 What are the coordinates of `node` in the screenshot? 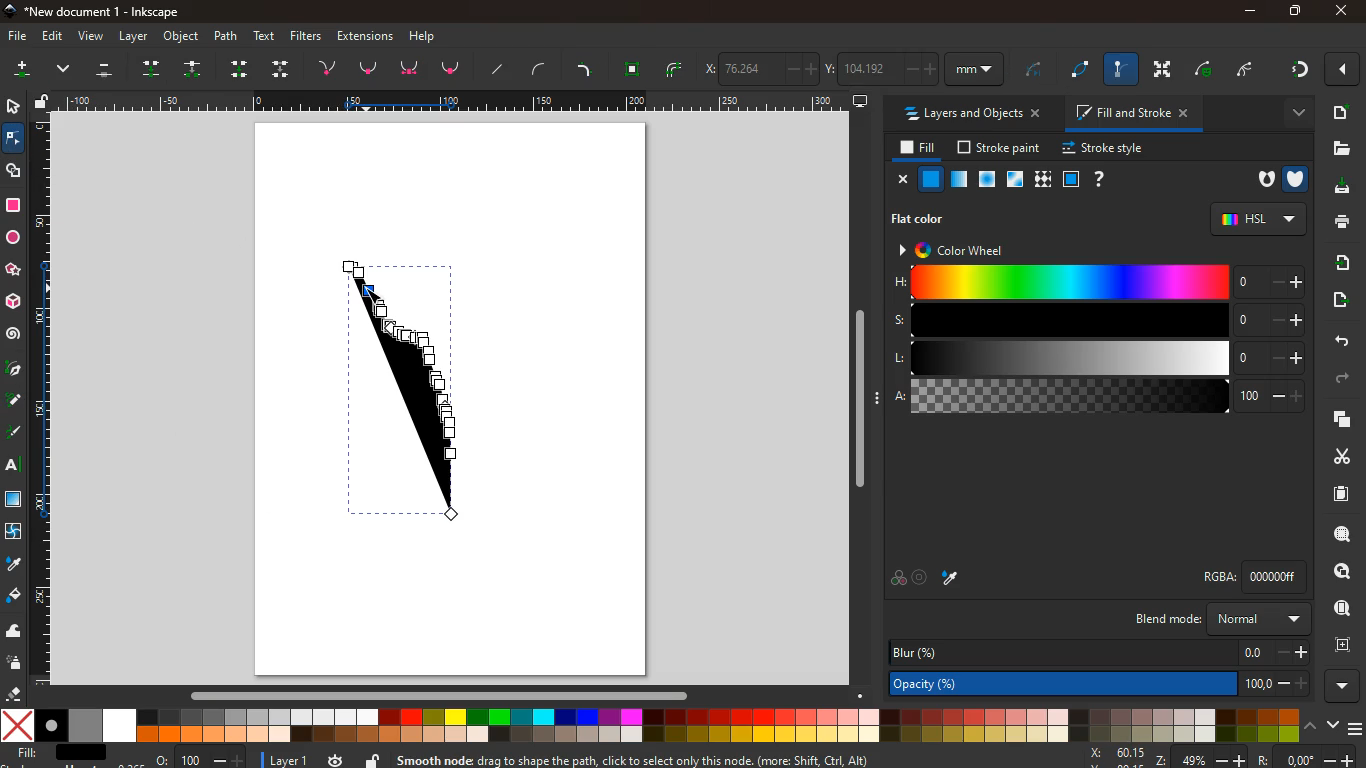 It's located at (15, 137).